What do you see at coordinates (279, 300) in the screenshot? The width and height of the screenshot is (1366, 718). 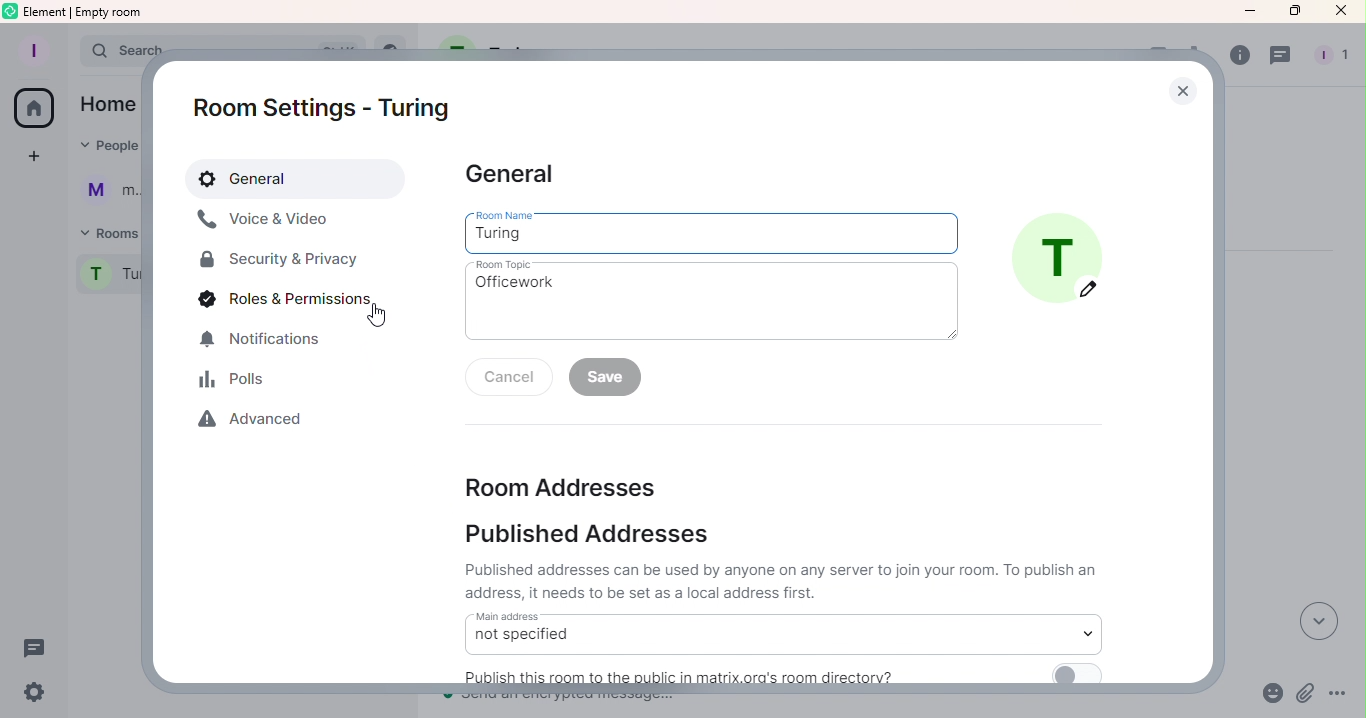 I see `Roles & Permissions` at bounding box center [279, 300].